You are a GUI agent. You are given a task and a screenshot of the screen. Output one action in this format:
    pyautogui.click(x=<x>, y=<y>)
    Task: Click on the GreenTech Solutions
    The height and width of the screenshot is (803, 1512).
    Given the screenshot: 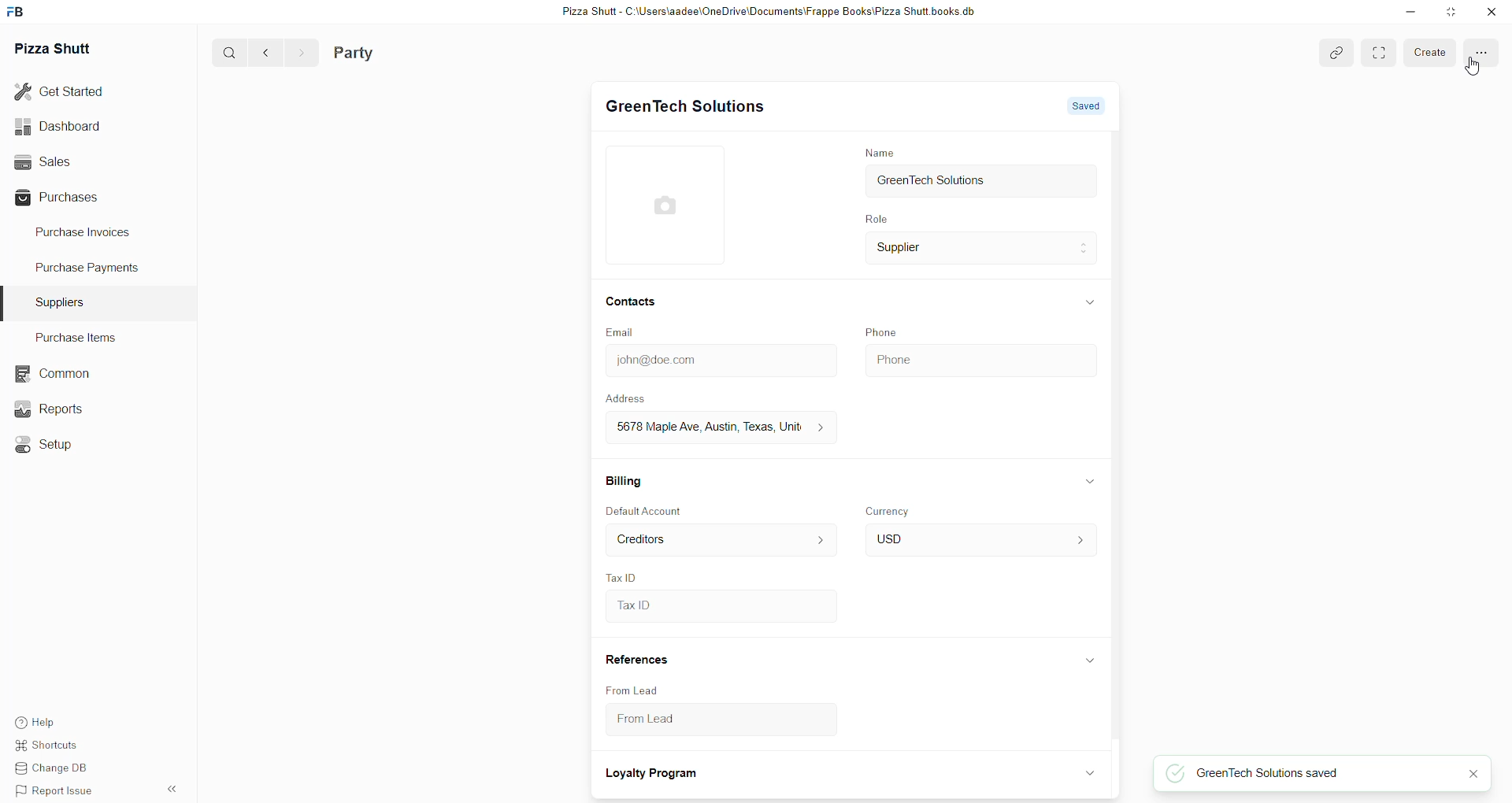 What is the action you would take?
    pyautogui.click(x=685, y=107)
    